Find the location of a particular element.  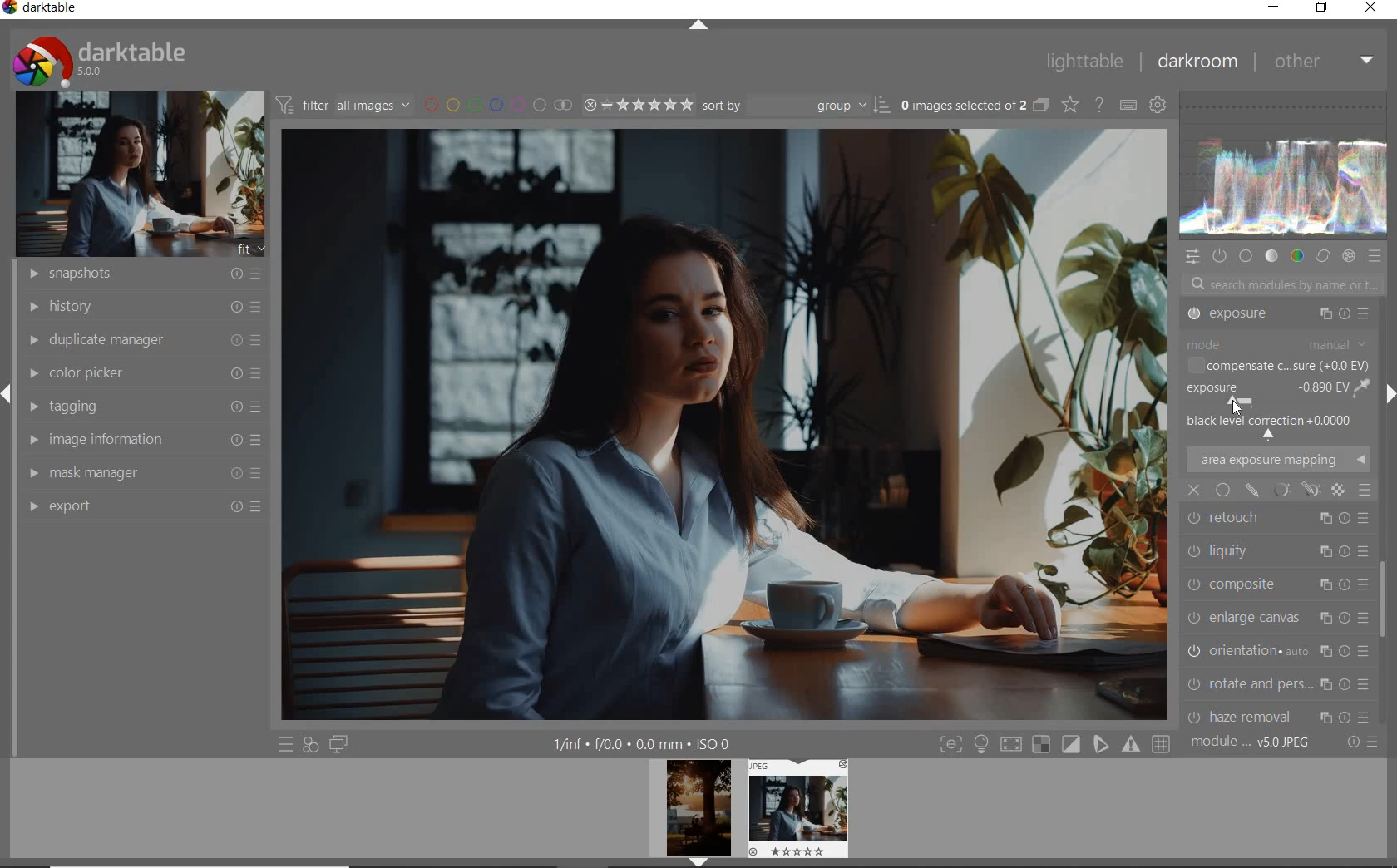

CHROMATIC ABER is located at coordinates (1276, 650).